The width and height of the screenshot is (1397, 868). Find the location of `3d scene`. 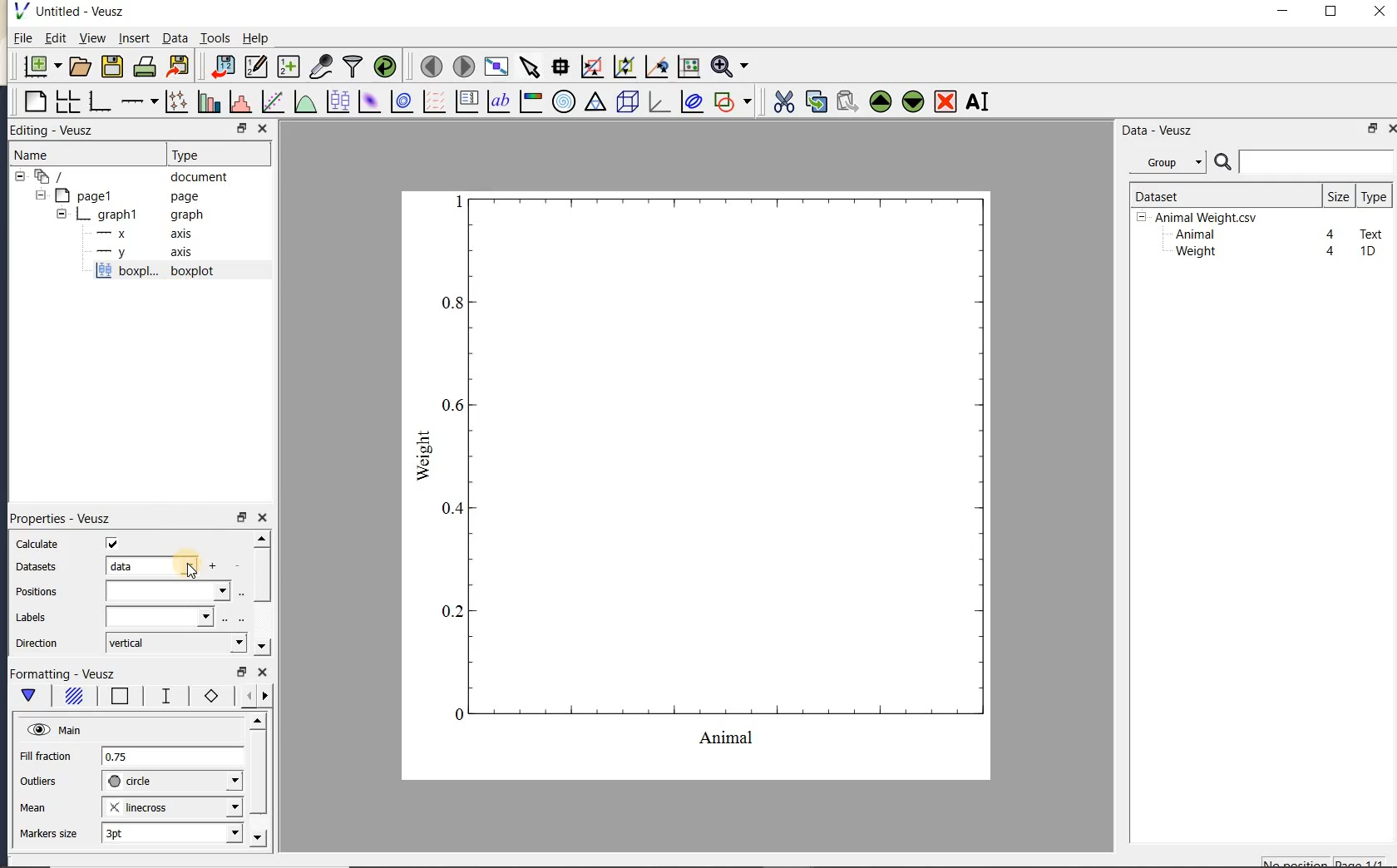

3d scene is located at coordinates (625, 102).